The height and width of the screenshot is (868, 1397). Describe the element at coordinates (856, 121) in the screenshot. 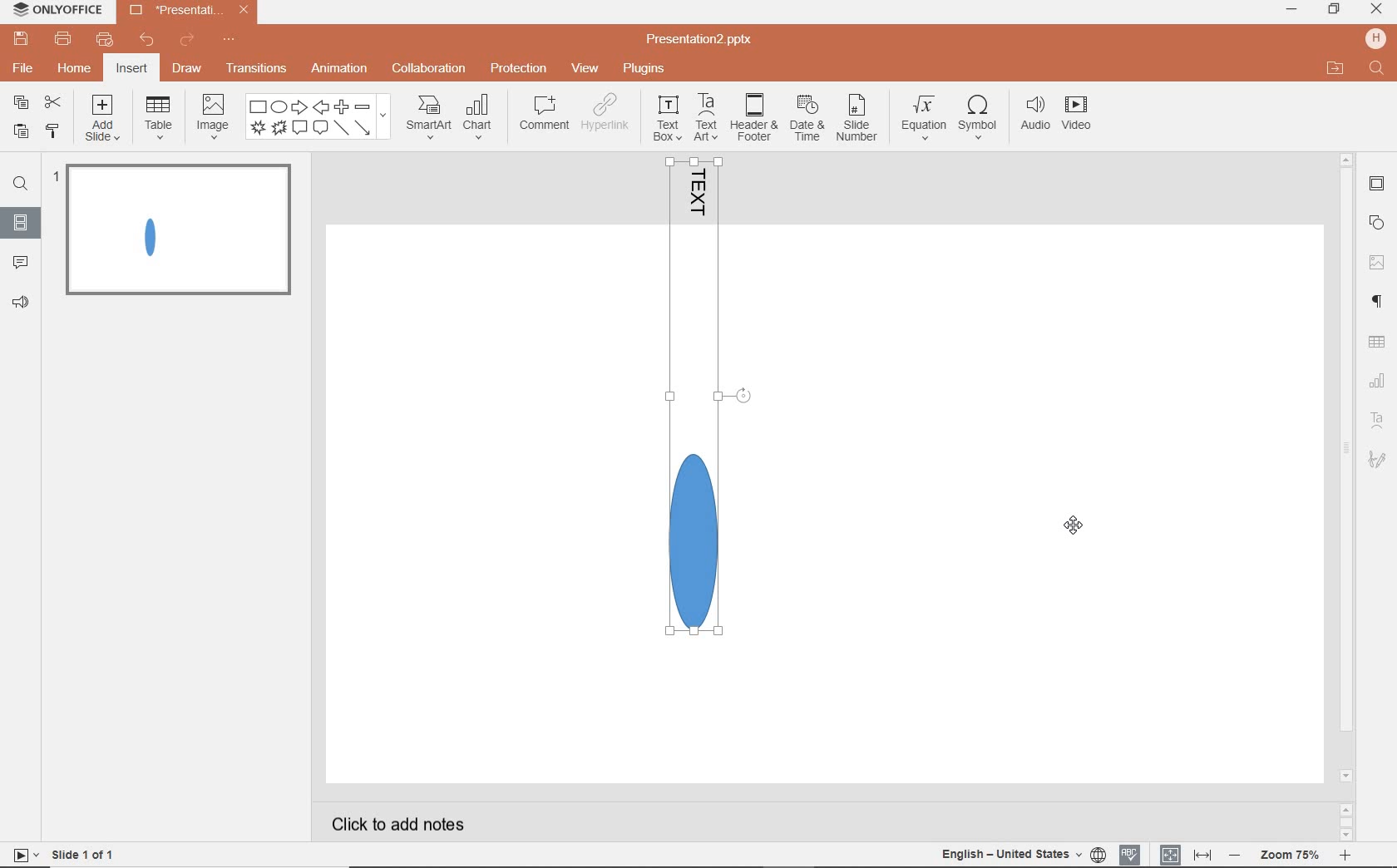

I see `slide number` at that location.